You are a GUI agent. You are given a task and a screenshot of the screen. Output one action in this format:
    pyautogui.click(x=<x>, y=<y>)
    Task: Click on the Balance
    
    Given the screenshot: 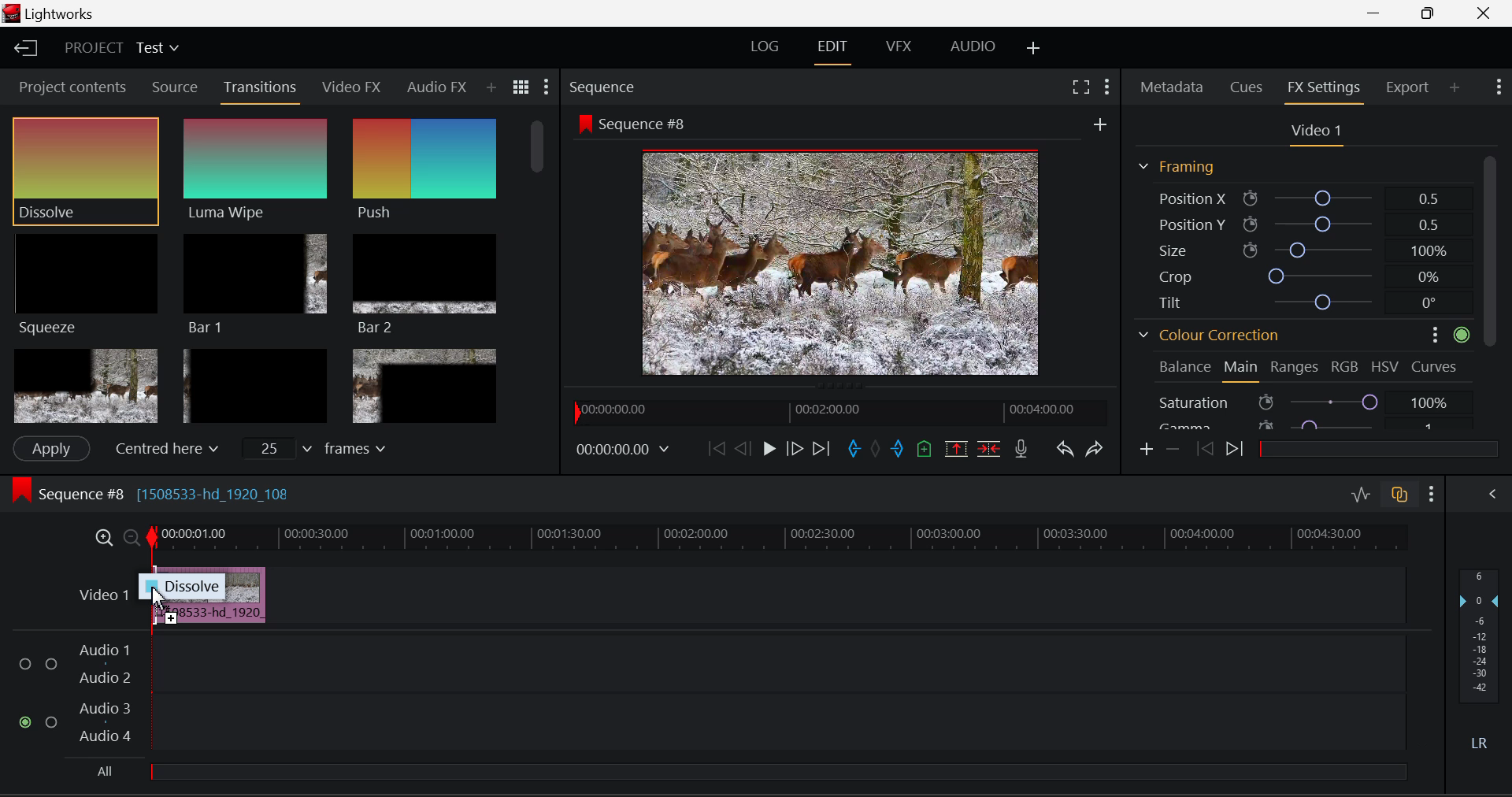 What is the action you would take?
    pyautogui.click(x=1184, y=366)
    